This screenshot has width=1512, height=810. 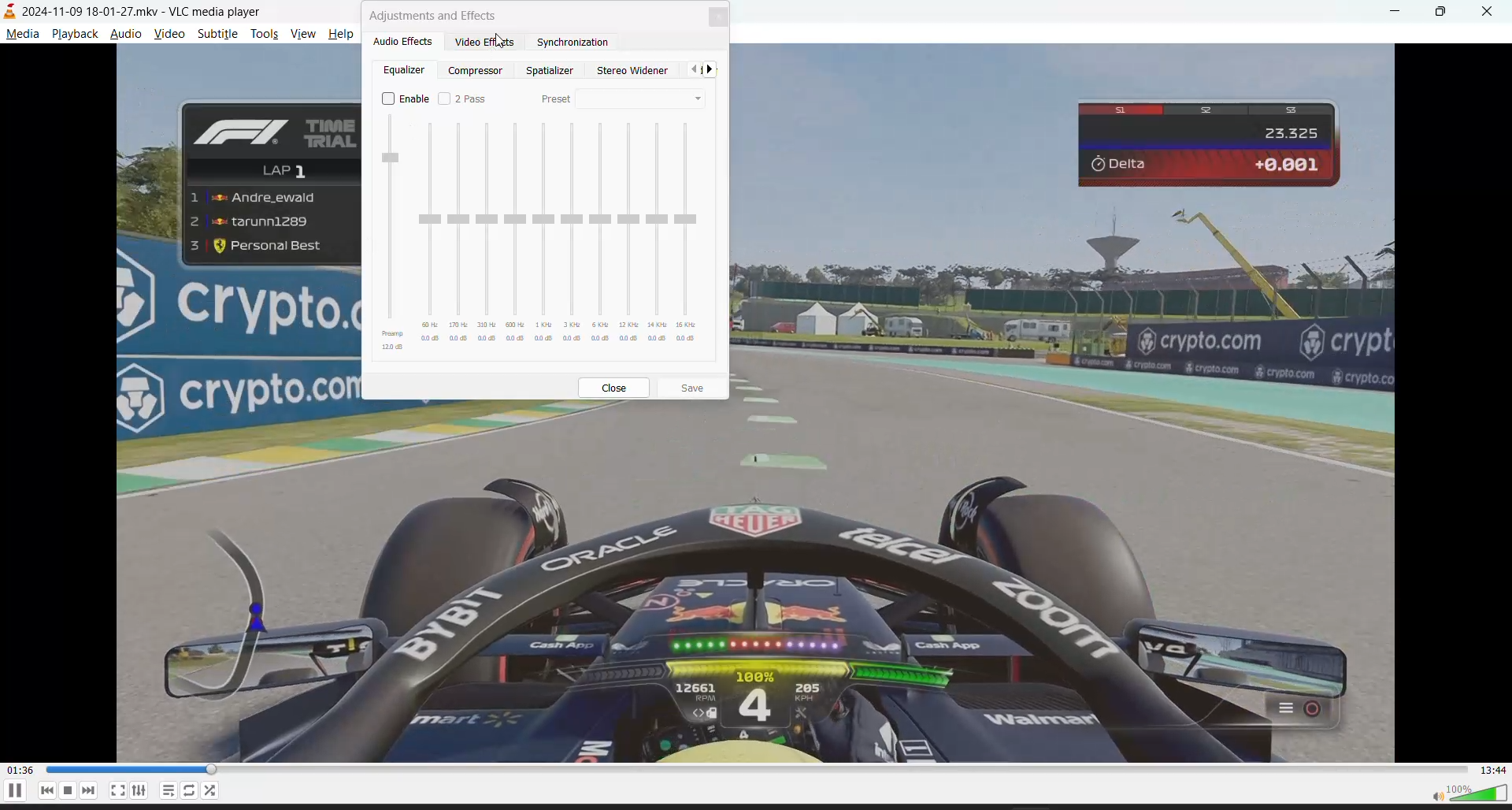 What do you see at coordinates (500, 40) in the screenshot?
I see `Cursor` at bounding box center [500, 40].